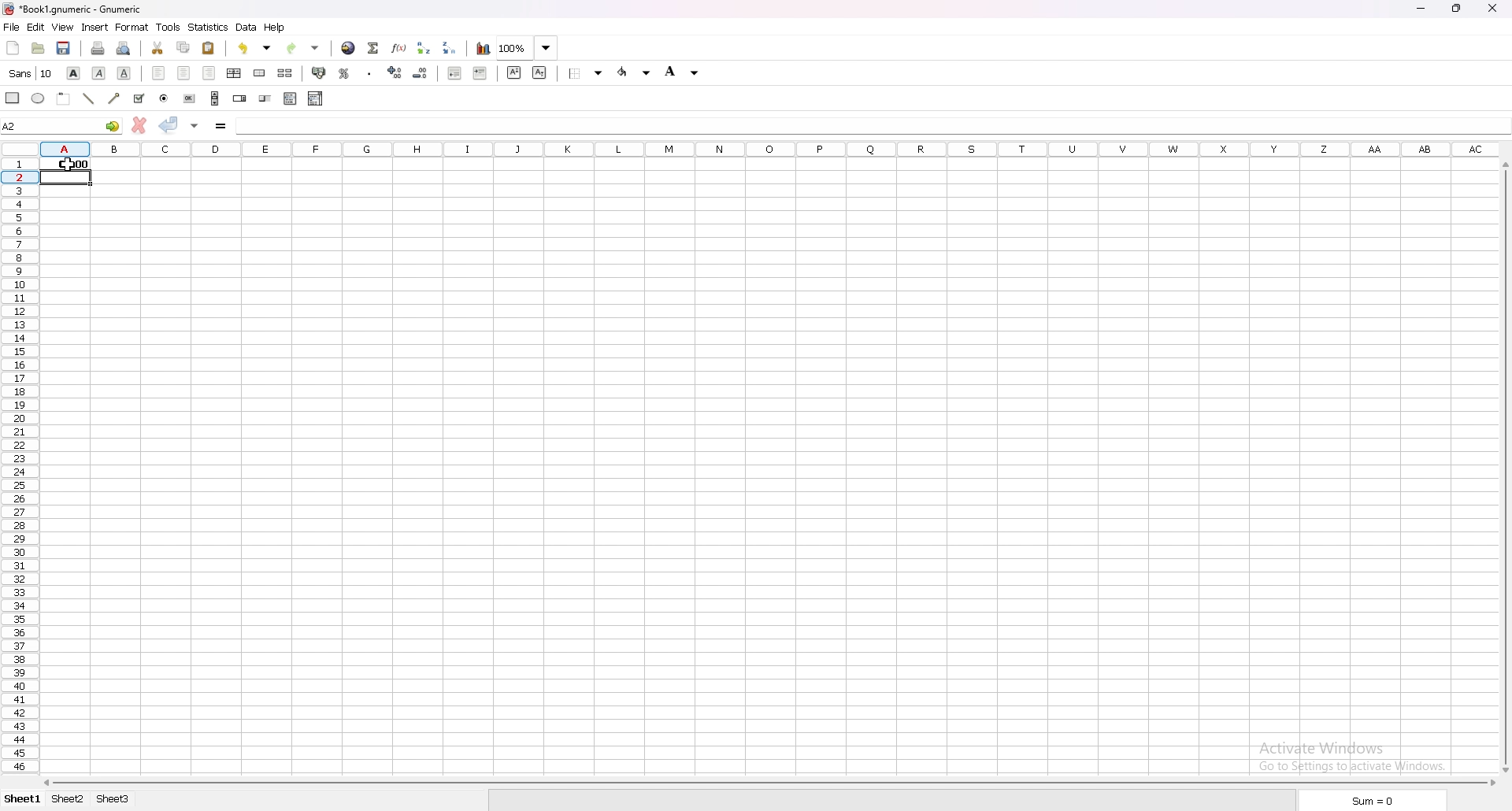  What do you see at coordinates (345, 73) in the screenshot?
I see `percentage` at bounding box center [345, 73].